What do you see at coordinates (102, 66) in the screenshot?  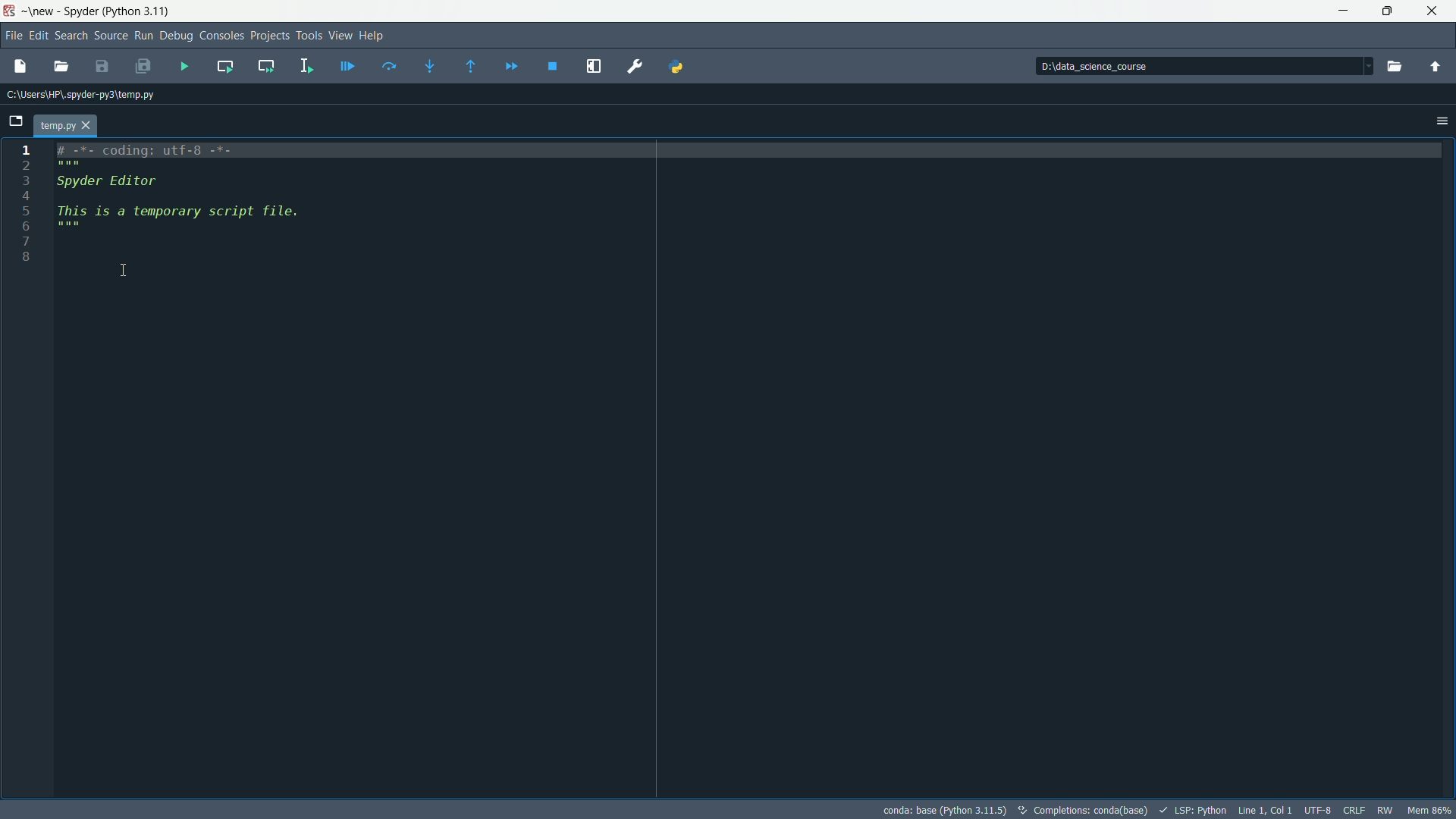 I see `save file` at bounding box center [102, 66].